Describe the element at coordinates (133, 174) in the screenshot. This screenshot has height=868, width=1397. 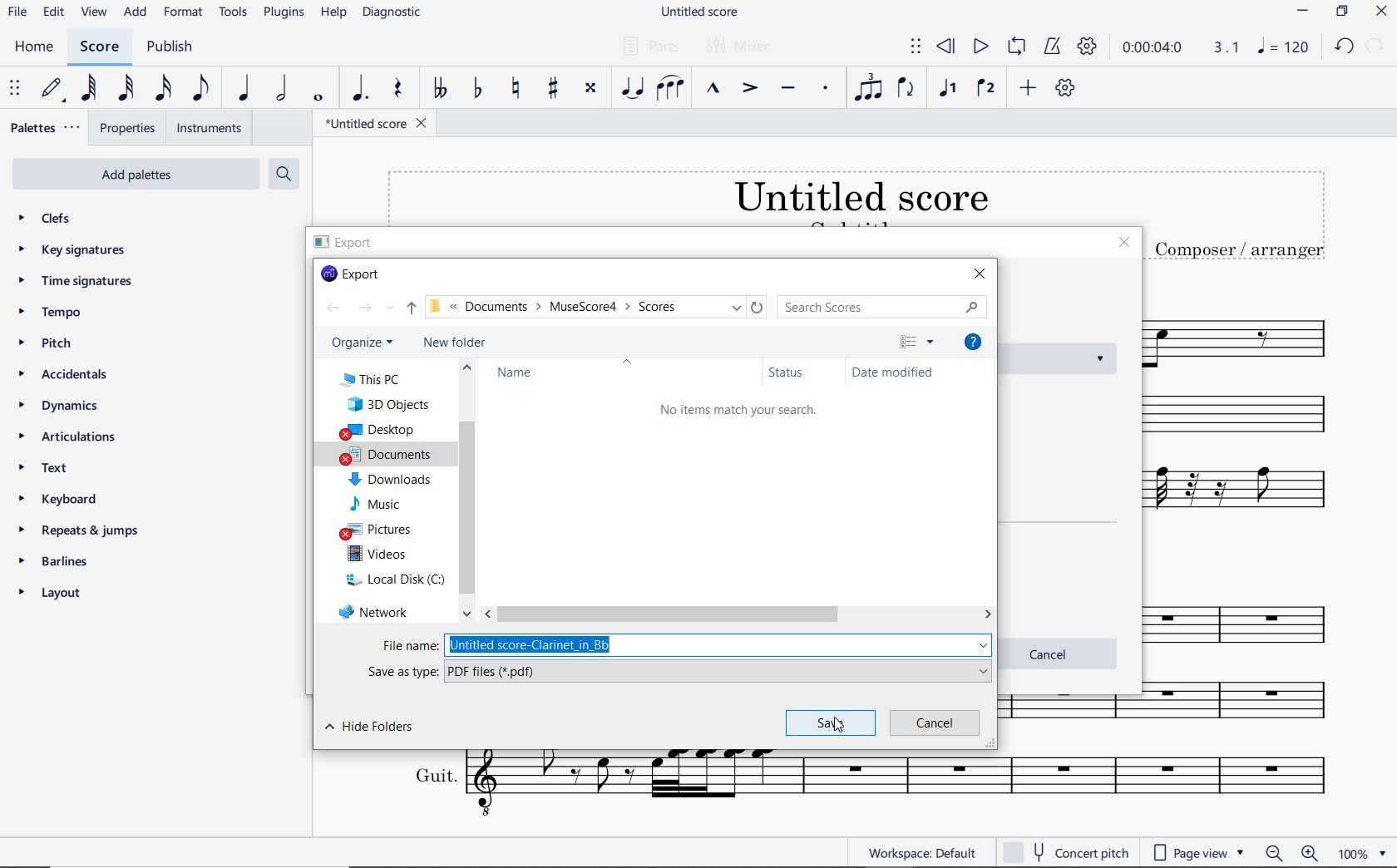
I see `add palettes` at that location.